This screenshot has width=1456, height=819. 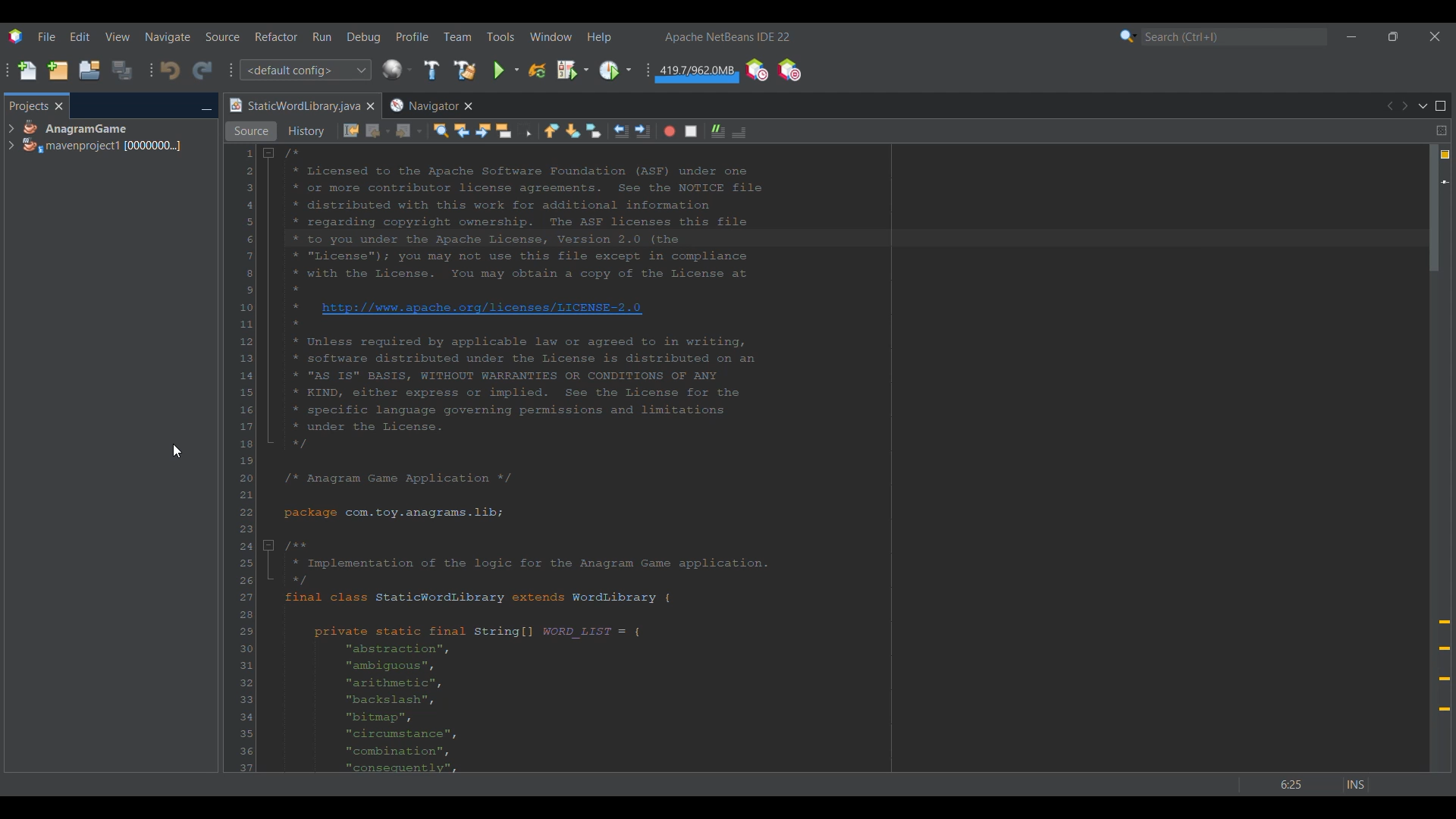 I want to click on Minimize, so click(x=206, y=107).